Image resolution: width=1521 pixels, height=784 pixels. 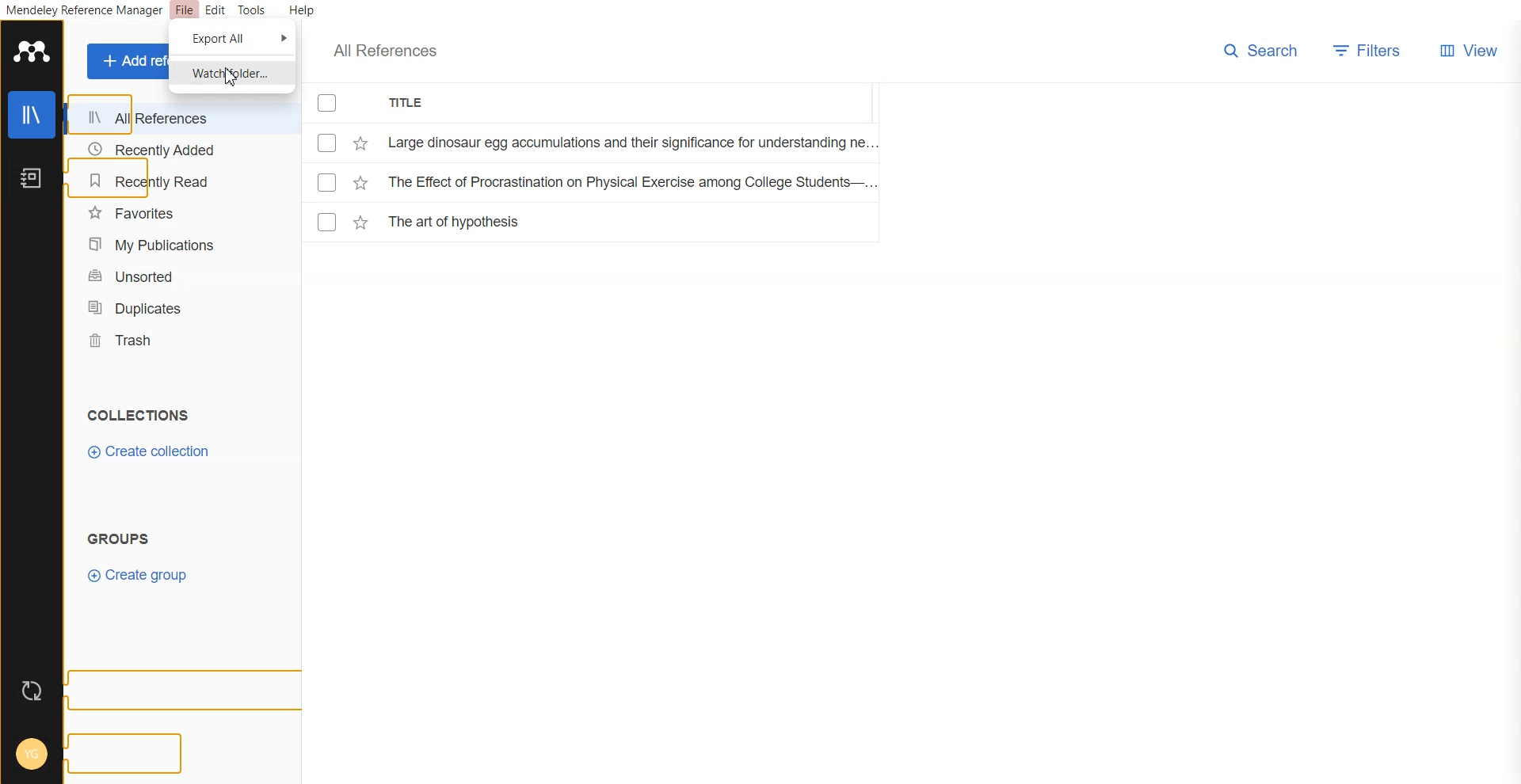 I want to click on Recently Added, so click(x=169, y=152).